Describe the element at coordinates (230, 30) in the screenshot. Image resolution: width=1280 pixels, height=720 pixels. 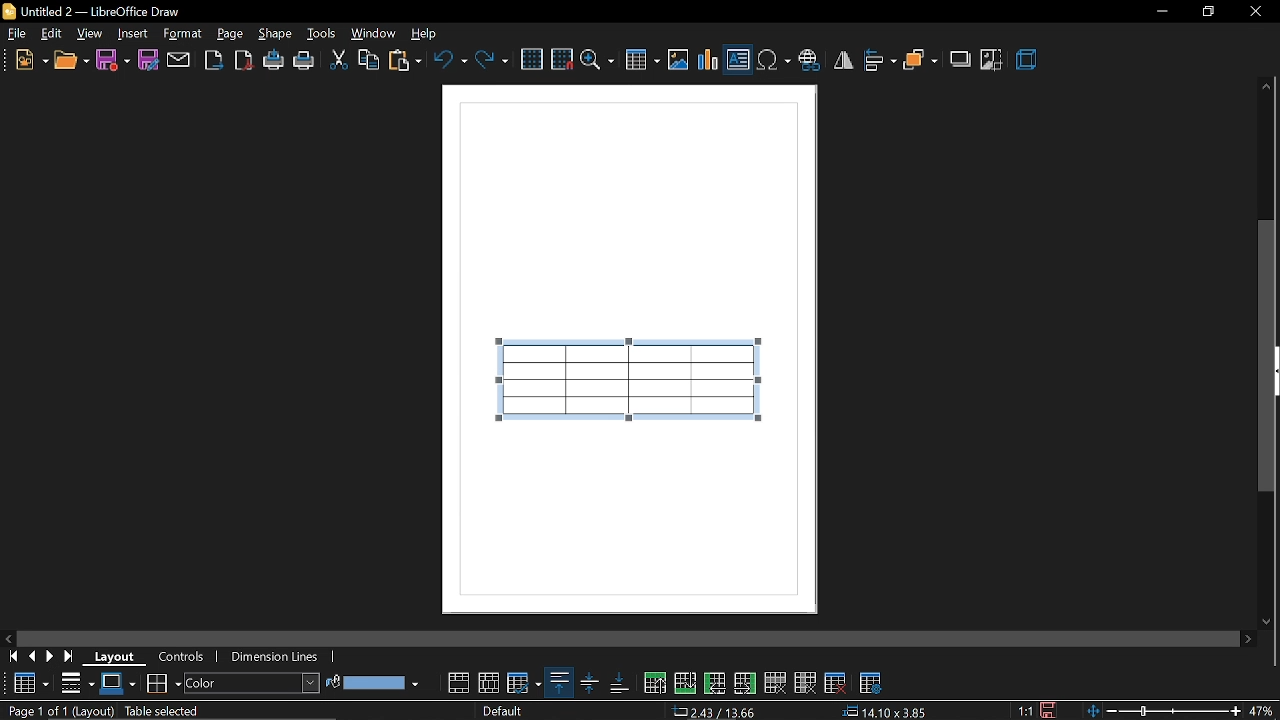
I see `page` at that location.